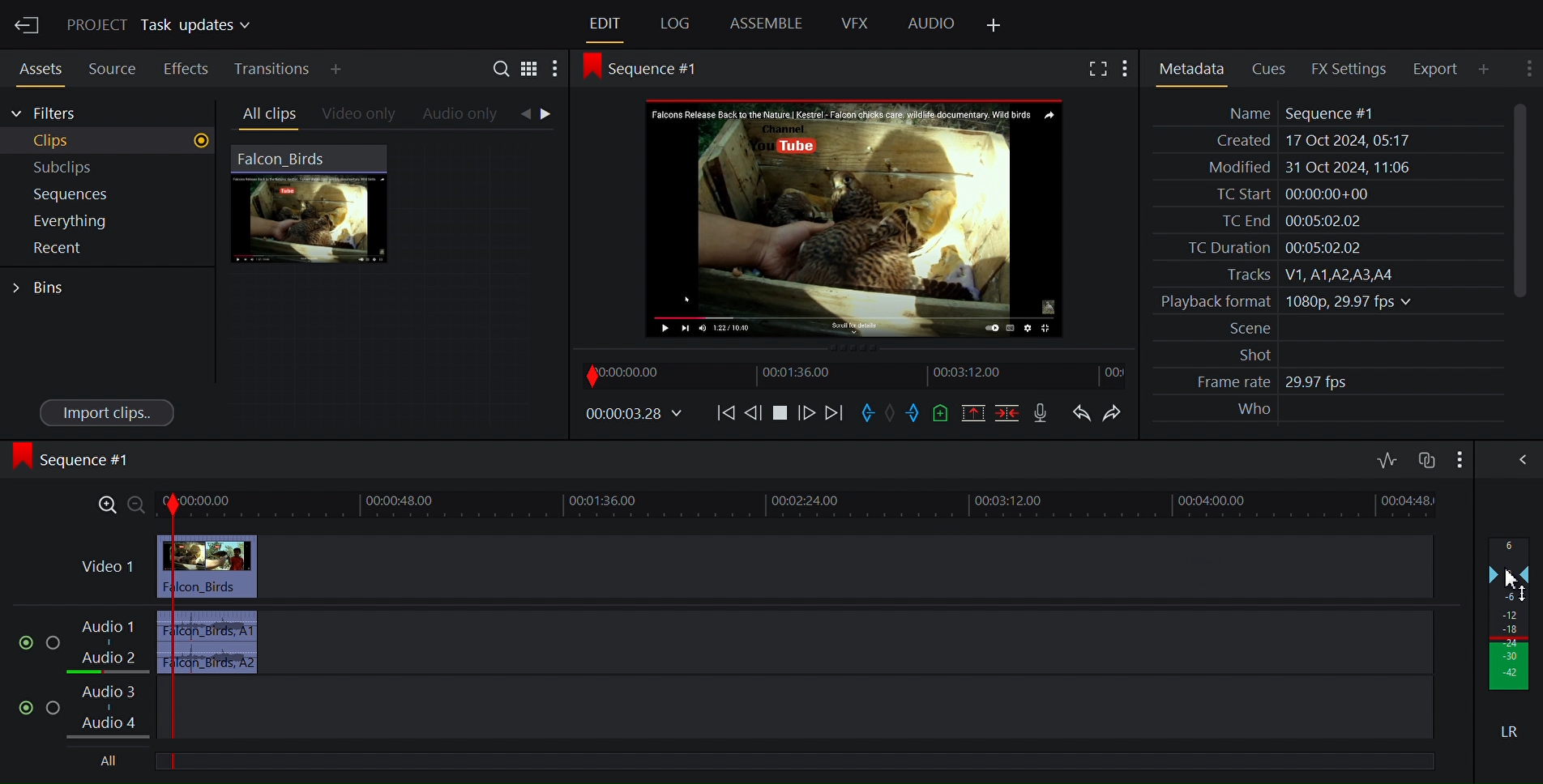 Image resolution: width=1543 pixels, height=784 pixels. I want to click on Video 1, so click(105, 568).